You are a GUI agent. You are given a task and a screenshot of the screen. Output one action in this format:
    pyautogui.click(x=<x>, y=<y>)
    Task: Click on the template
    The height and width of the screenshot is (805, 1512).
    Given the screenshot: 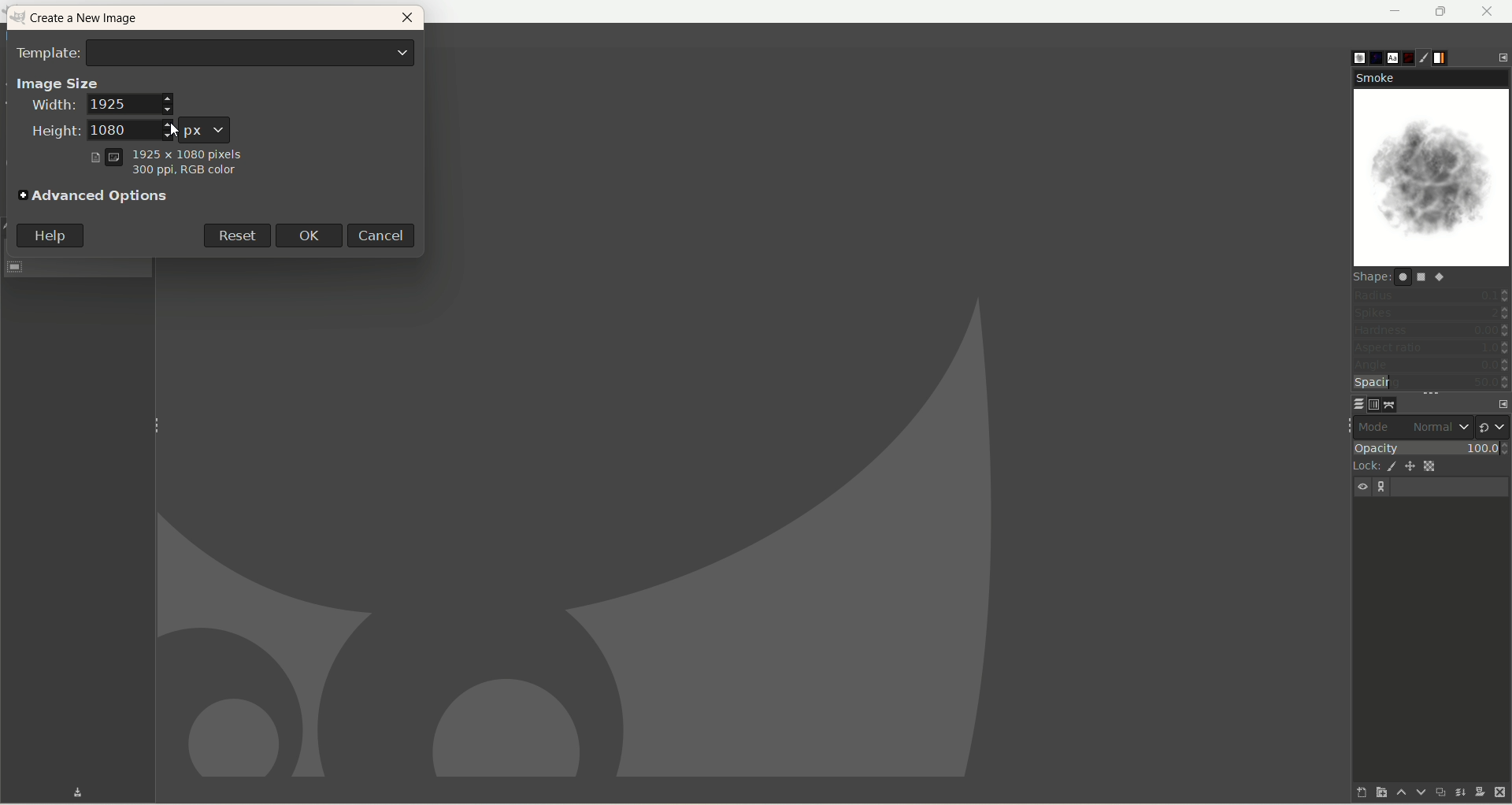 What is the action you would take?
    pyautogui.click(x=217, y=51)
    